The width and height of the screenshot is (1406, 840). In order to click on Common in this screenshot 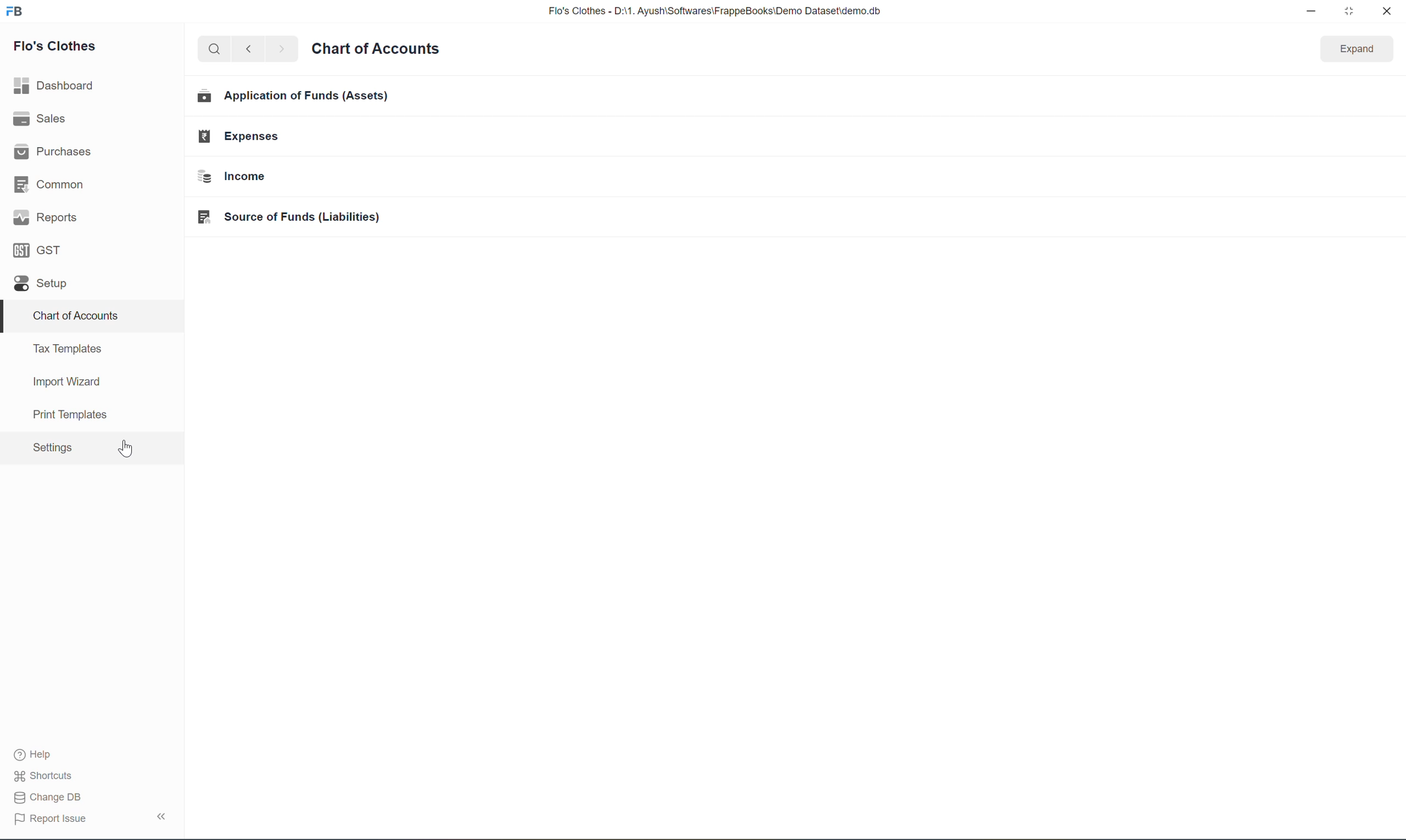, I will do `click(49, 184)`.